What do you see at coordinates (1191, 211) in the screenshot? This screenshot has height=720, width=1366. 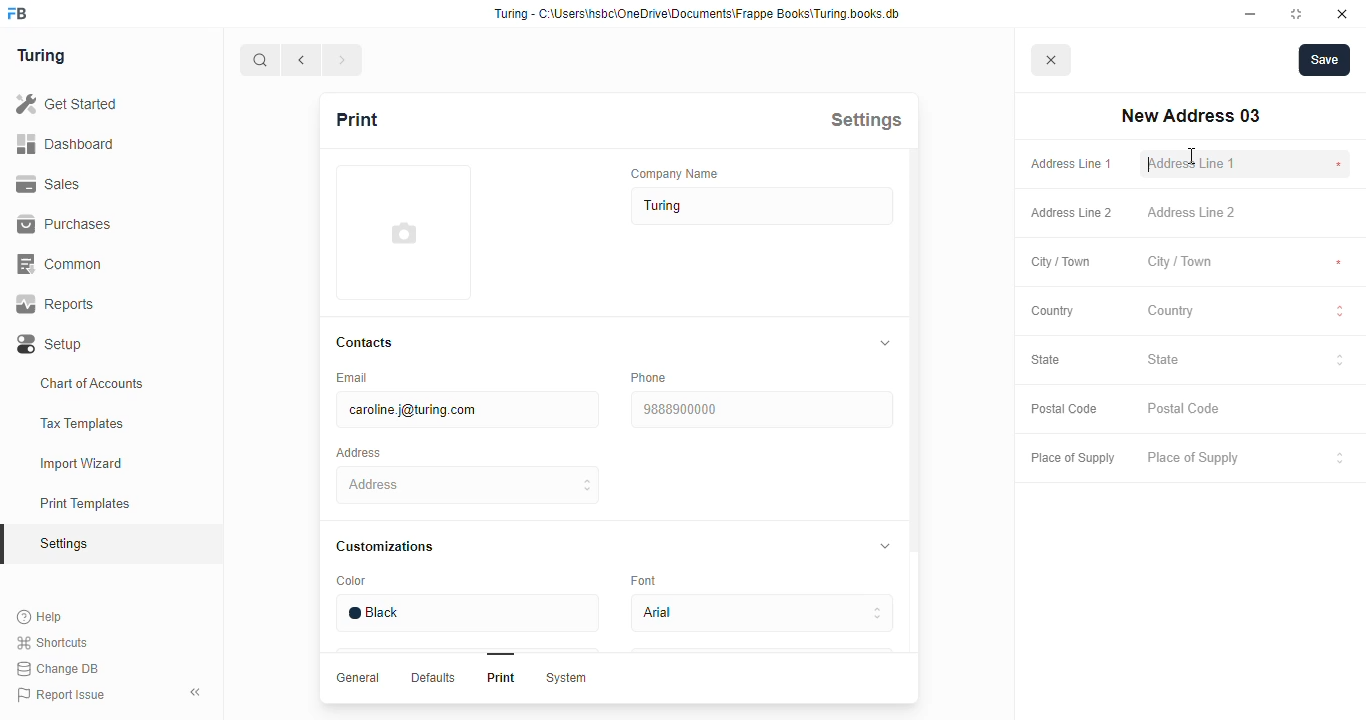 I see `address line 2` at bounding box center [1191, 211].